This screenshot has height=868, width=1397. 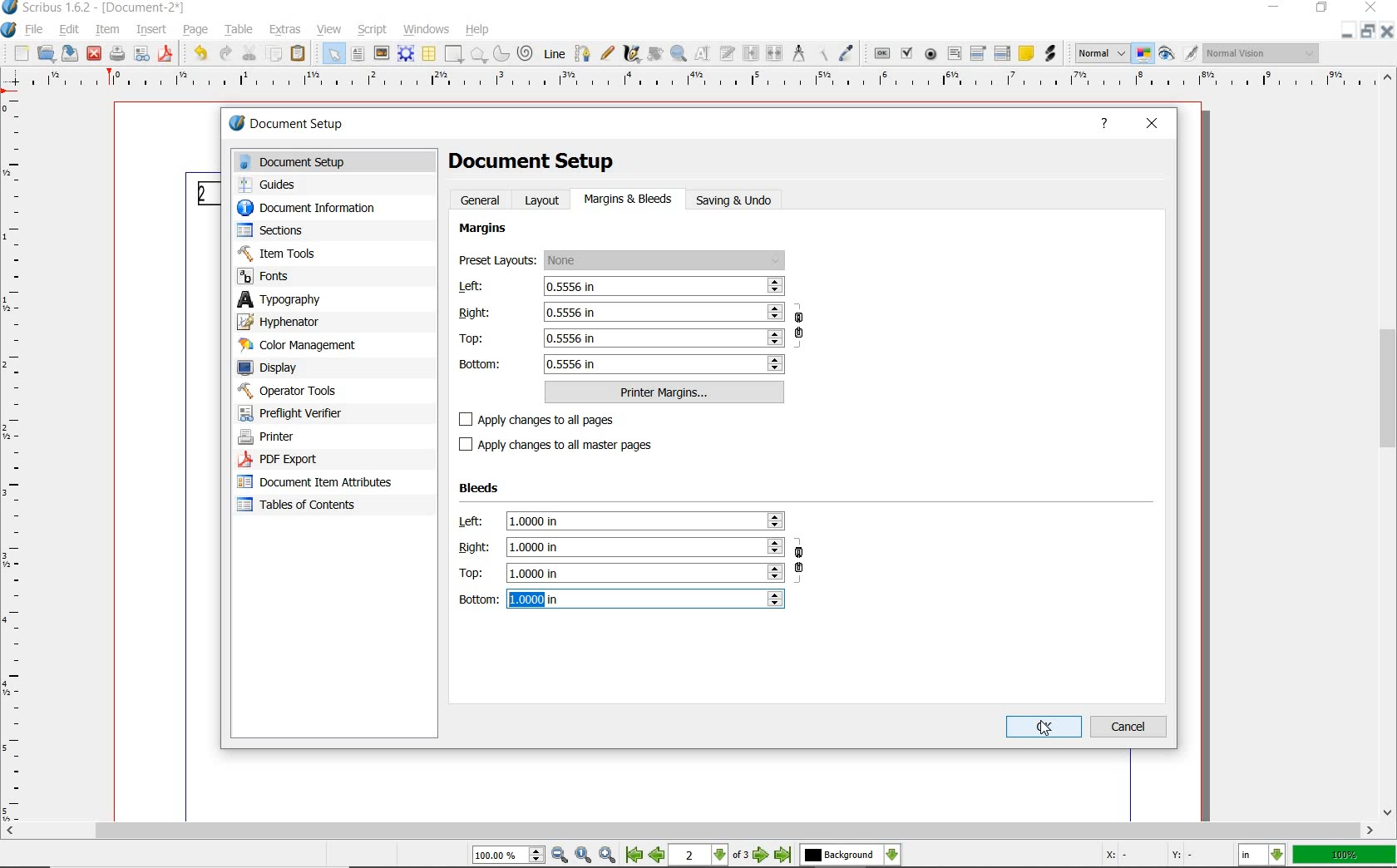 What do you see at coordinates (311, 125) in the screenshot?
I see `document setup` at bounding box center [311, 125].